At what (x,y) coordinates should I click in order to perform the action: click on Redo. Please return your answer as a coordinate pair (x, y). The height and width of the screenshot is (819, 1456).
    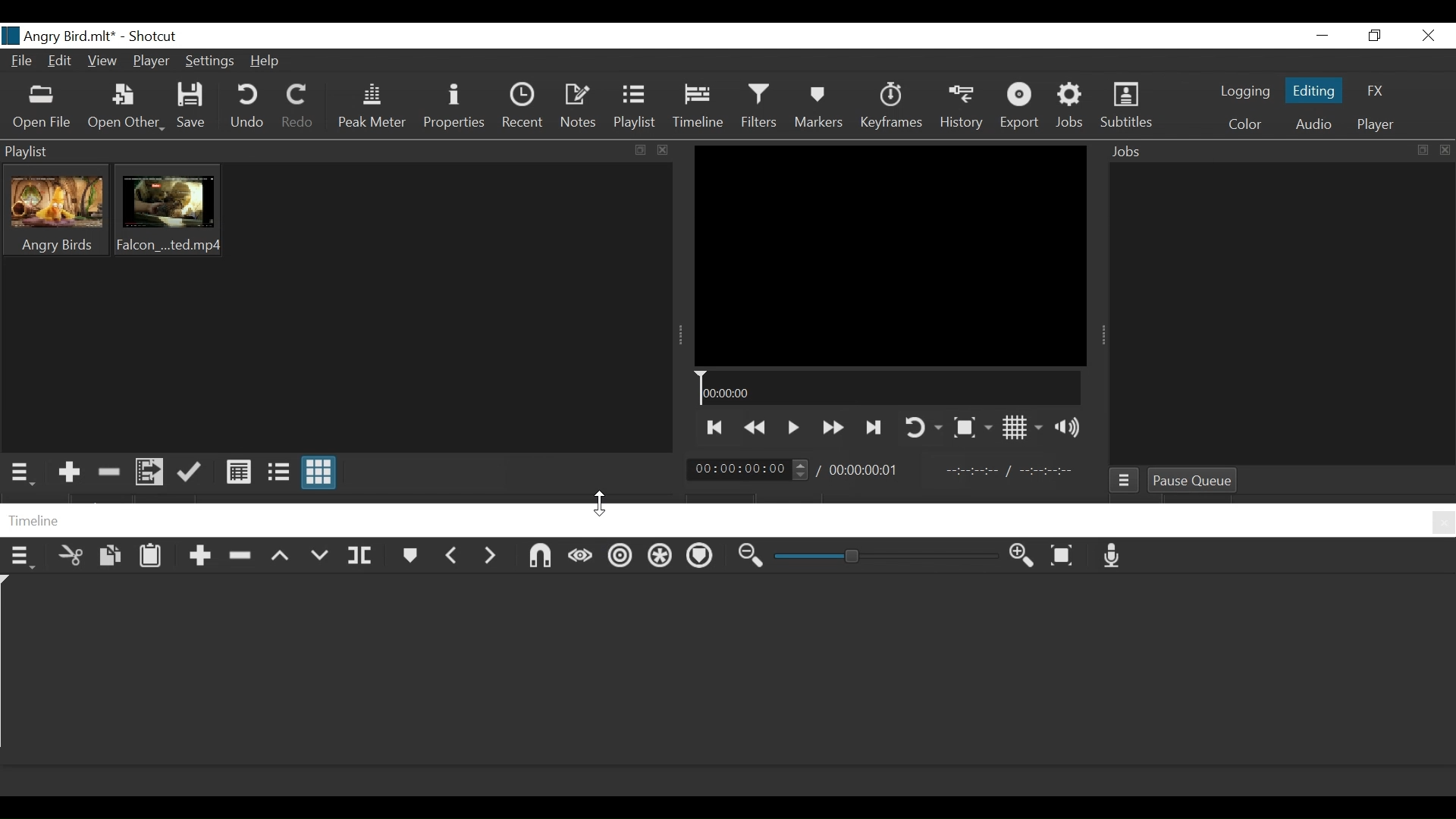
    Looking at the image, I should click on (299, 107).